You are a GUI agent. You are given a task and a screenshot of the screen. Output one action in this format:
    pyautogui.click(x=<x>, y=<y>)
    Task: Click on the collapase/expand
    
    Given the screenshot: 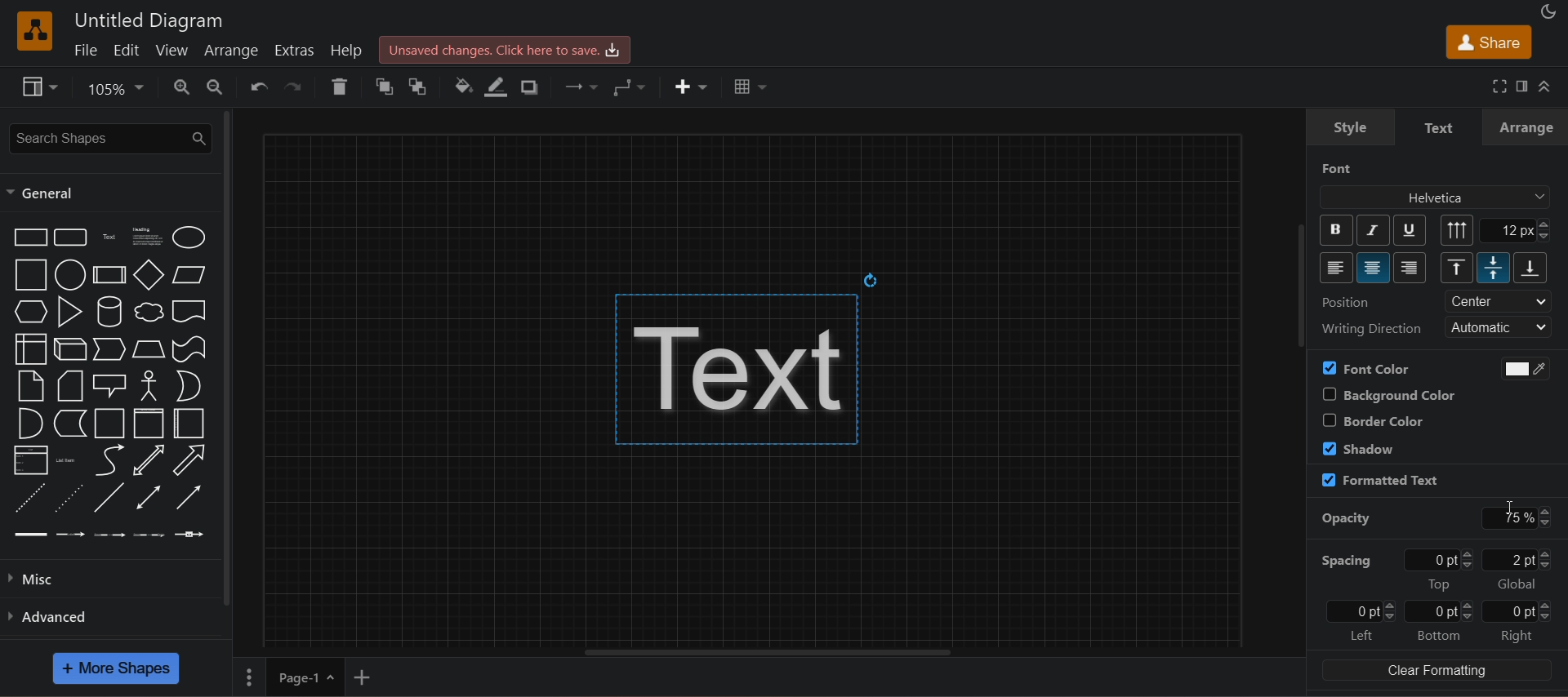 What is the action you would take?
    pyautogui.click(x=1545, y=87)
    